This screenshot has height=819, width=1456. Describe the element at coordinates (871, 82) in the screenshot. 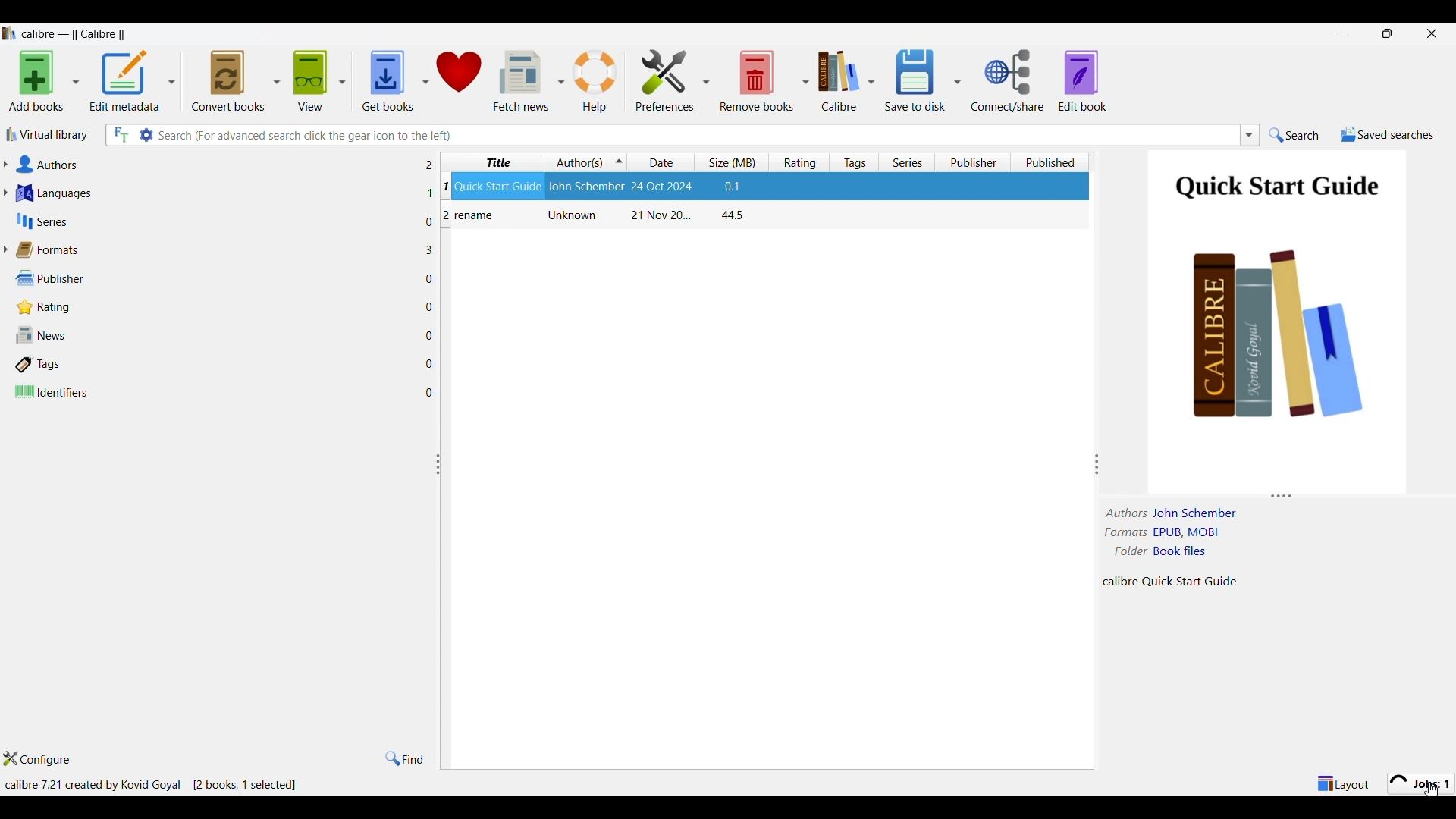

I see `Calibre options` at that location.